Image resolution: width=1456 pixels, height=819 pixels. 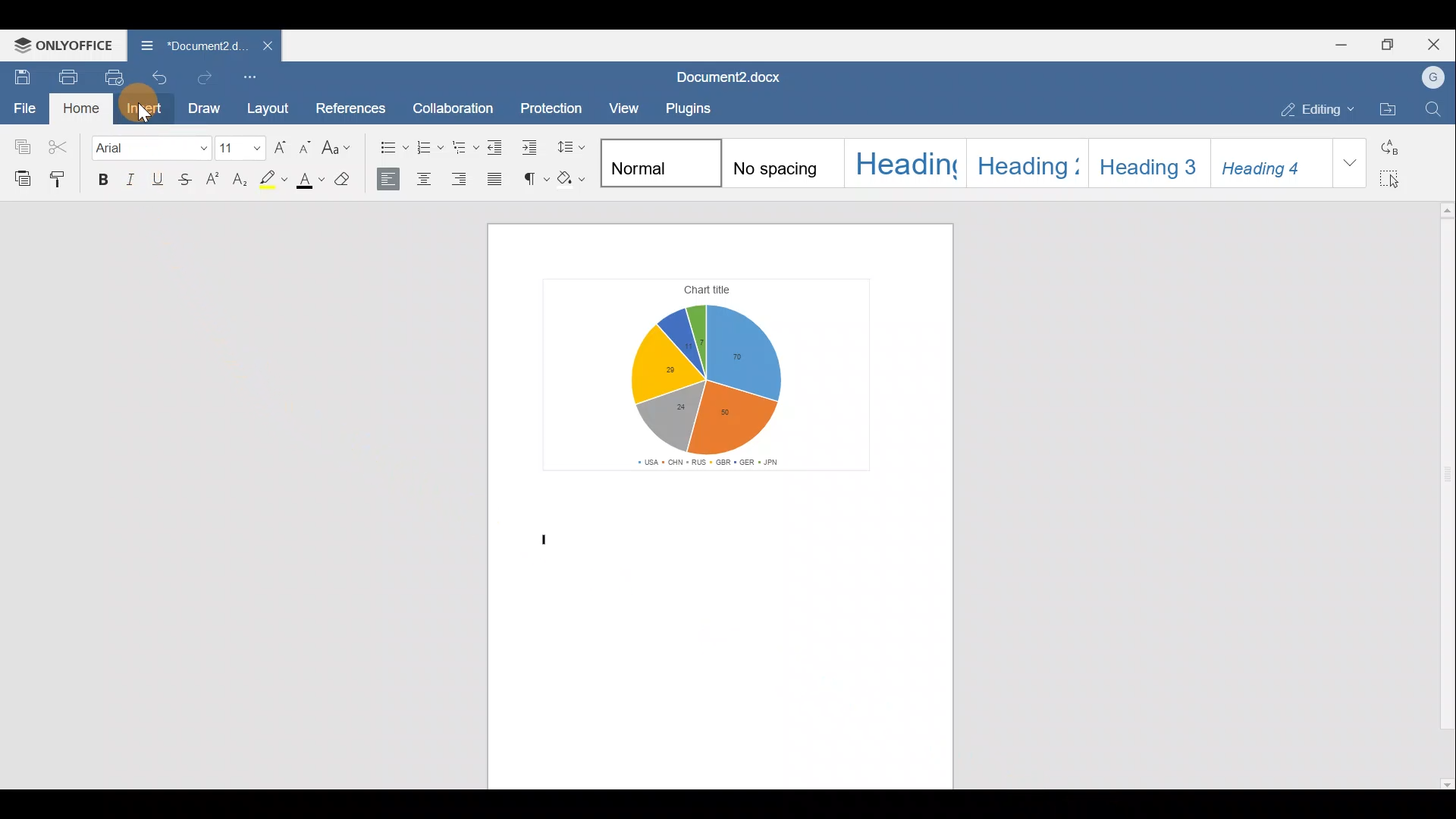 I want to click on Italic, so click(x=133, y=176).